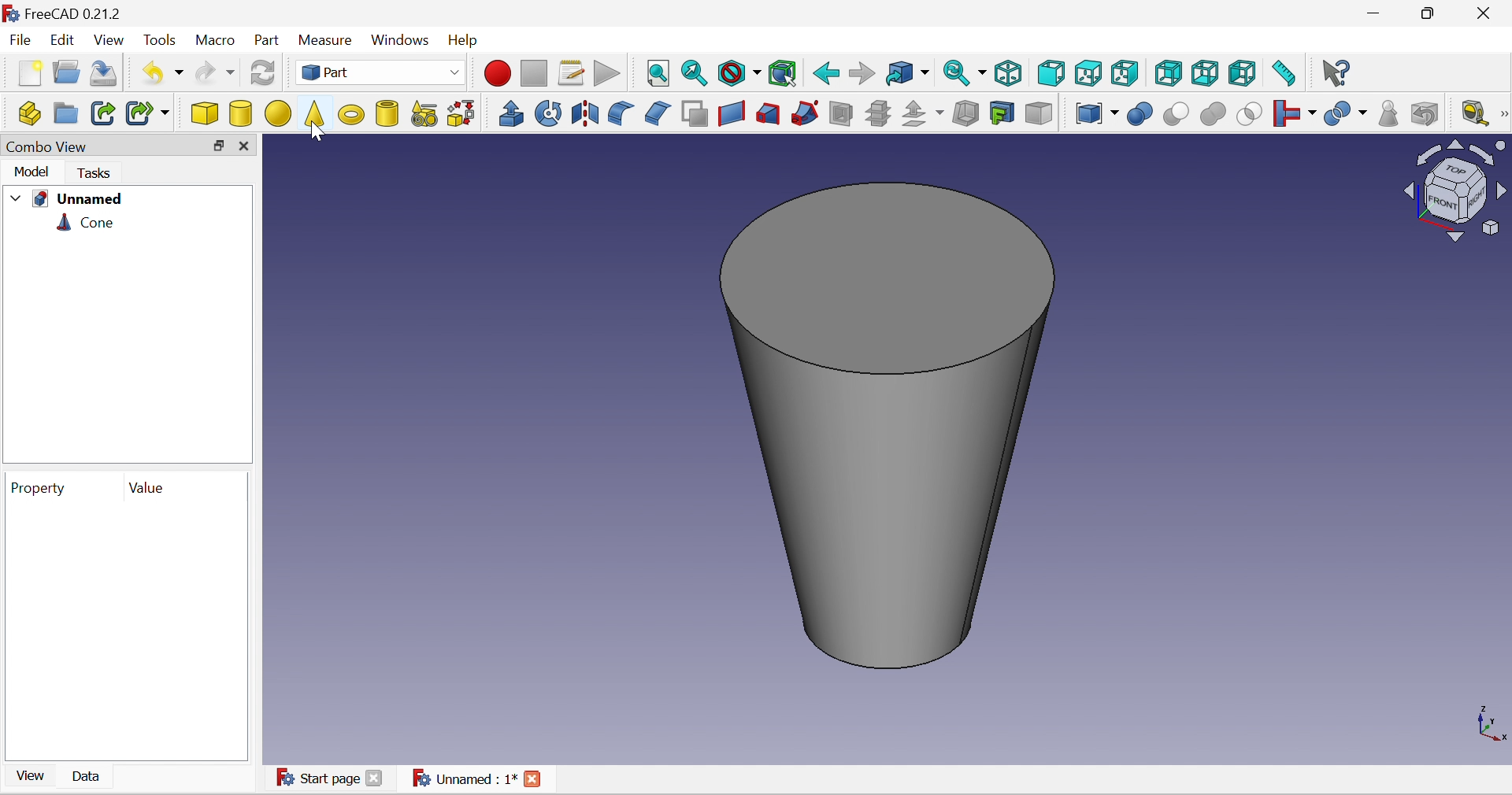 The height and width of the screenshot is (795, 1512). What do you see at coordinates (1378, 13) in the screenshot?
I see `Minimize` at bounding box center [1378, 13].